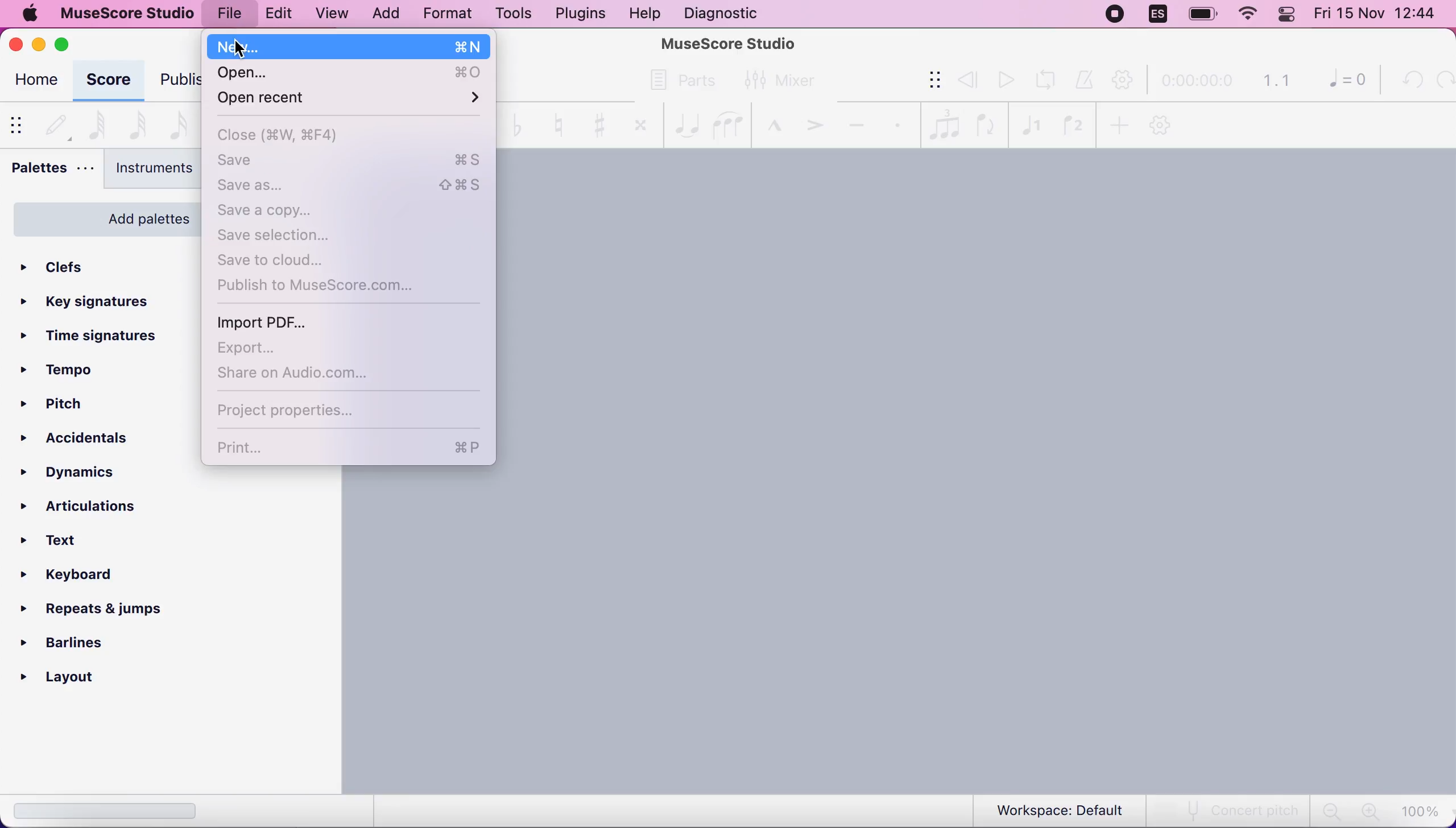 This screenshot has height=828, width=1456. What do you see at coordinates (230, 15) in the screenshot?
I see `file` at bounding box center [230, 15].